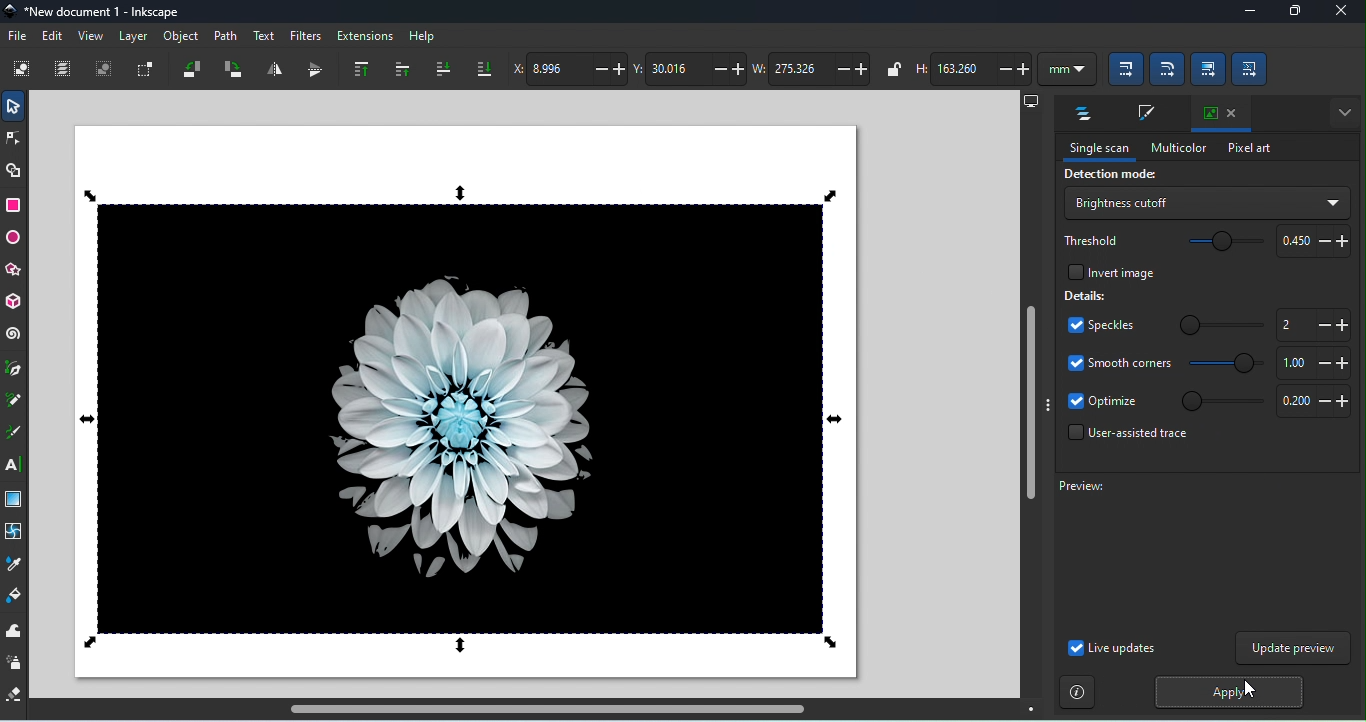 This screenshot has width=1366, height=722. Describe the element at coordinates (104, 71) in the screenshot. I see `Deselect any selected objects` at that location.